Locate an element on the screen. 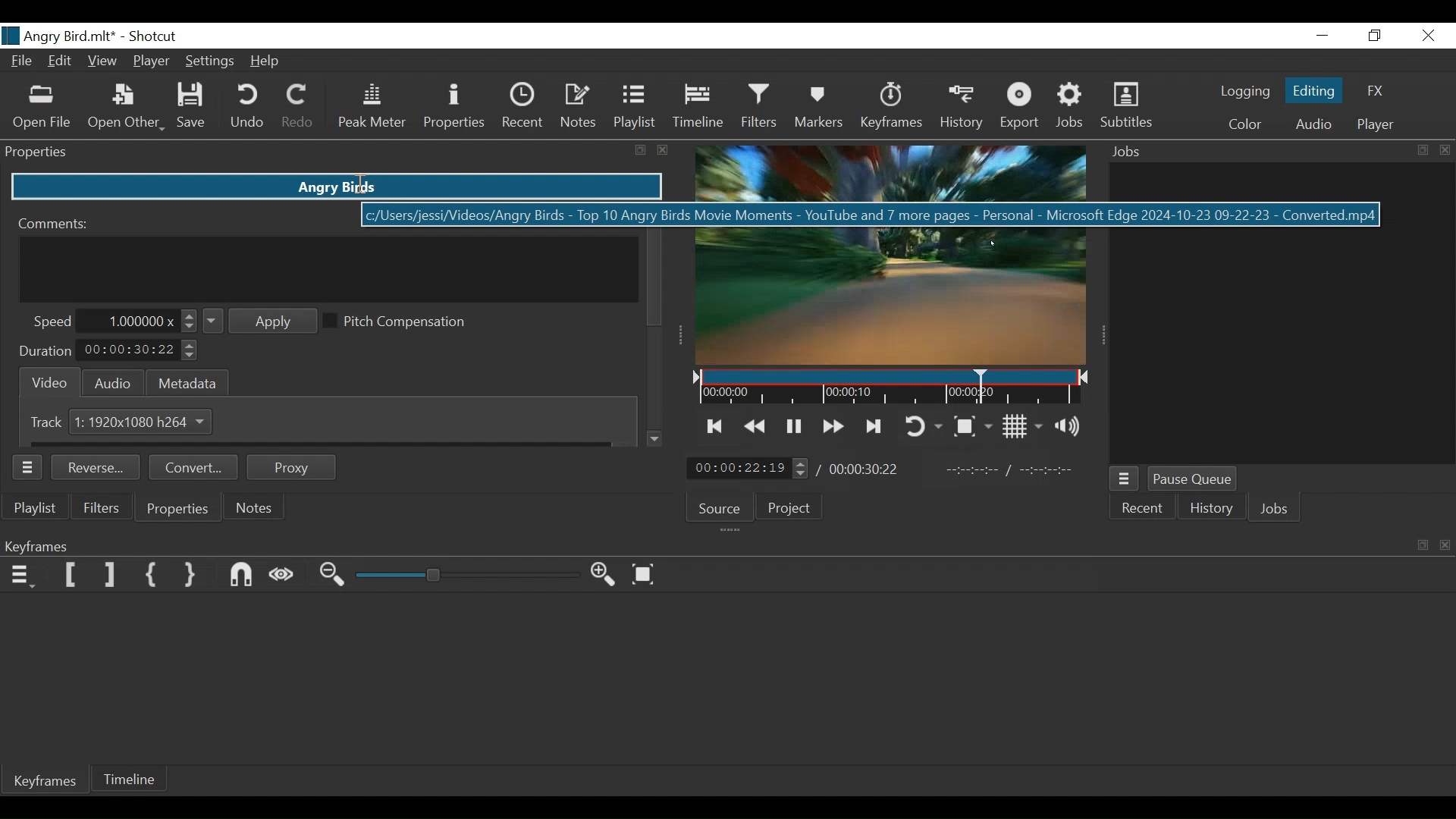  Size is located at coordinates (143, 421).